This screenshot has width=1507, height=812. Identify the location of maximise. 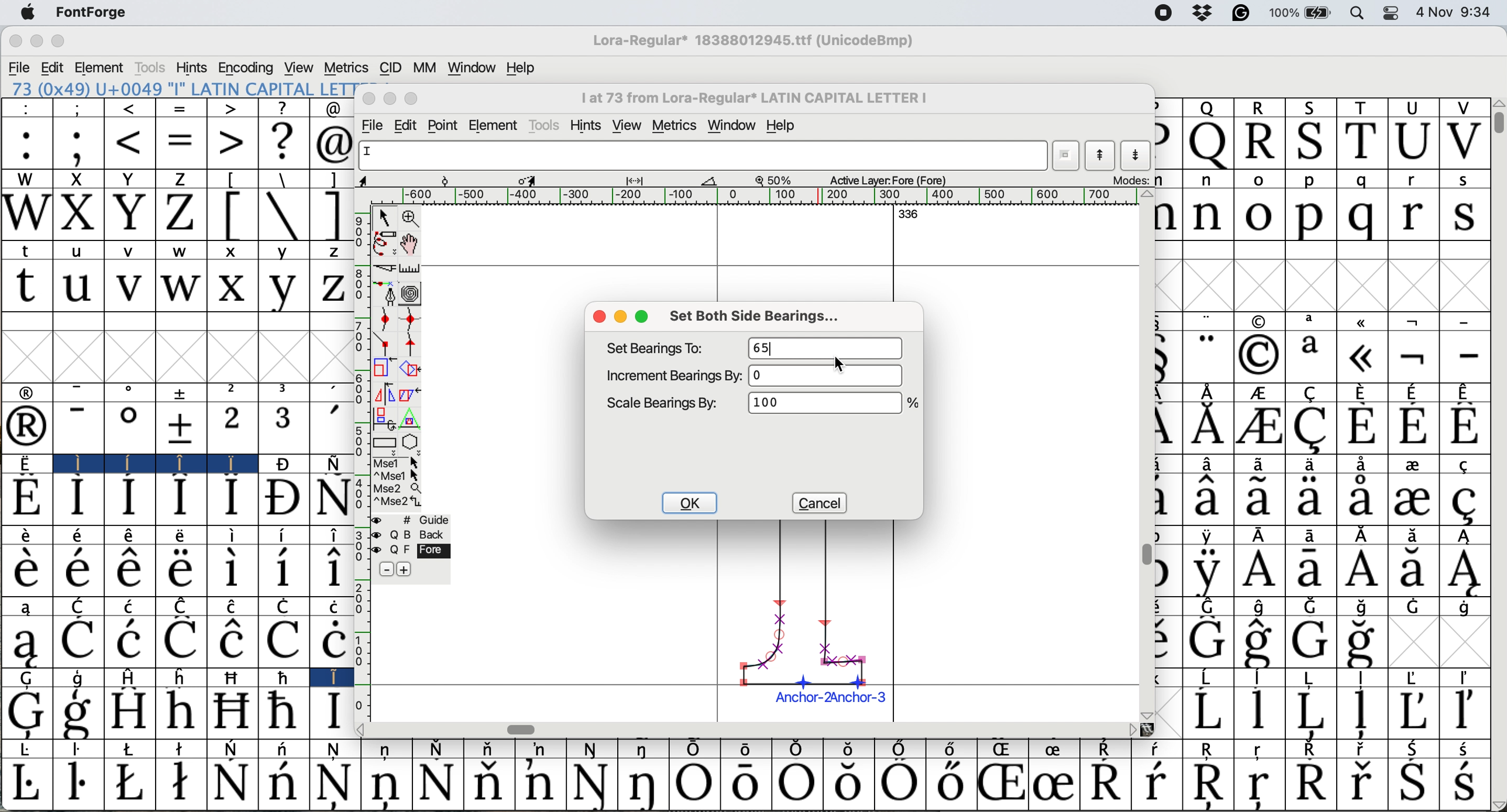
(411, 98).